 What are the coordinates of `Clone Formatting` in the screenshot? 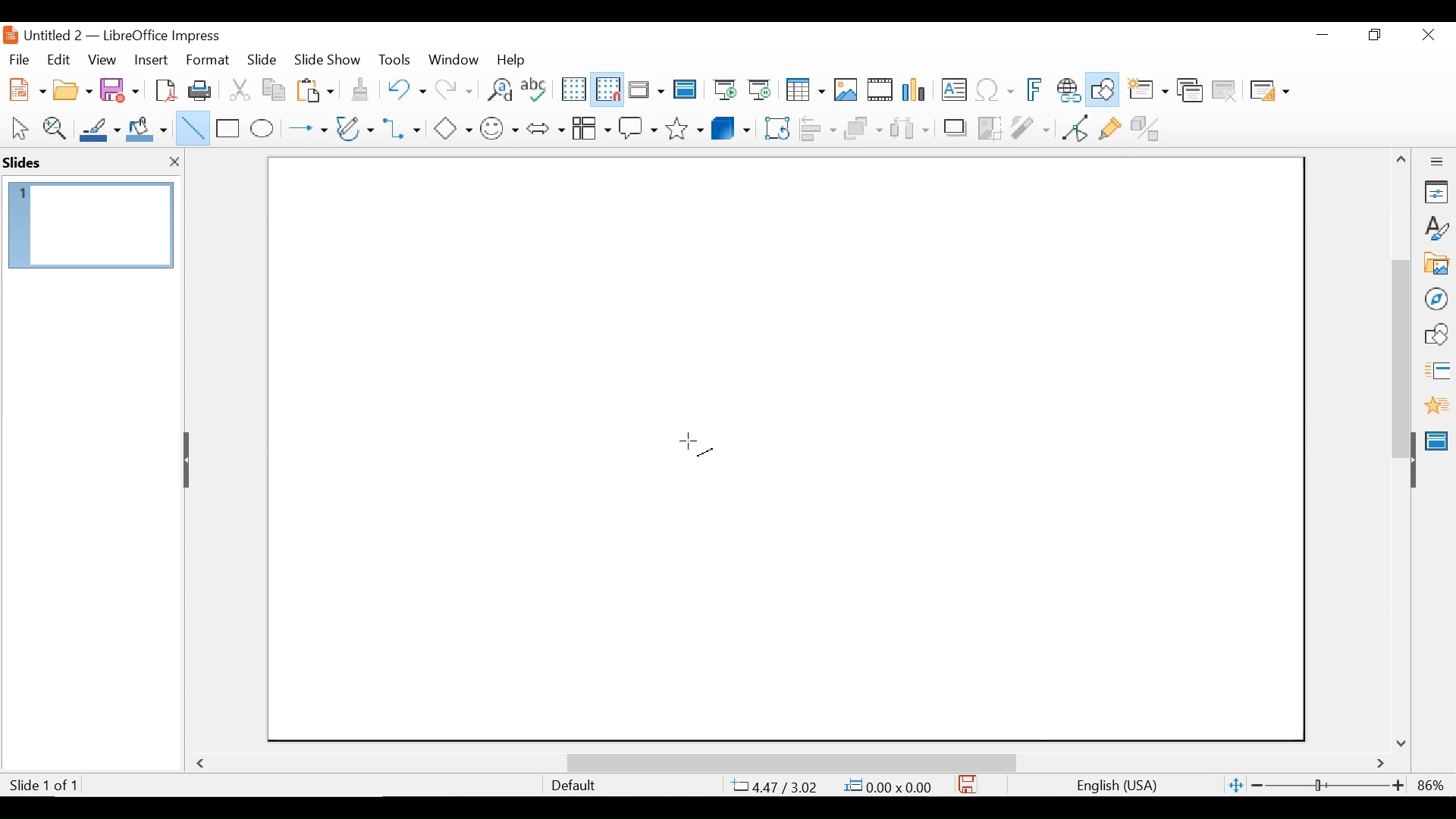 It's located at (362, 89).